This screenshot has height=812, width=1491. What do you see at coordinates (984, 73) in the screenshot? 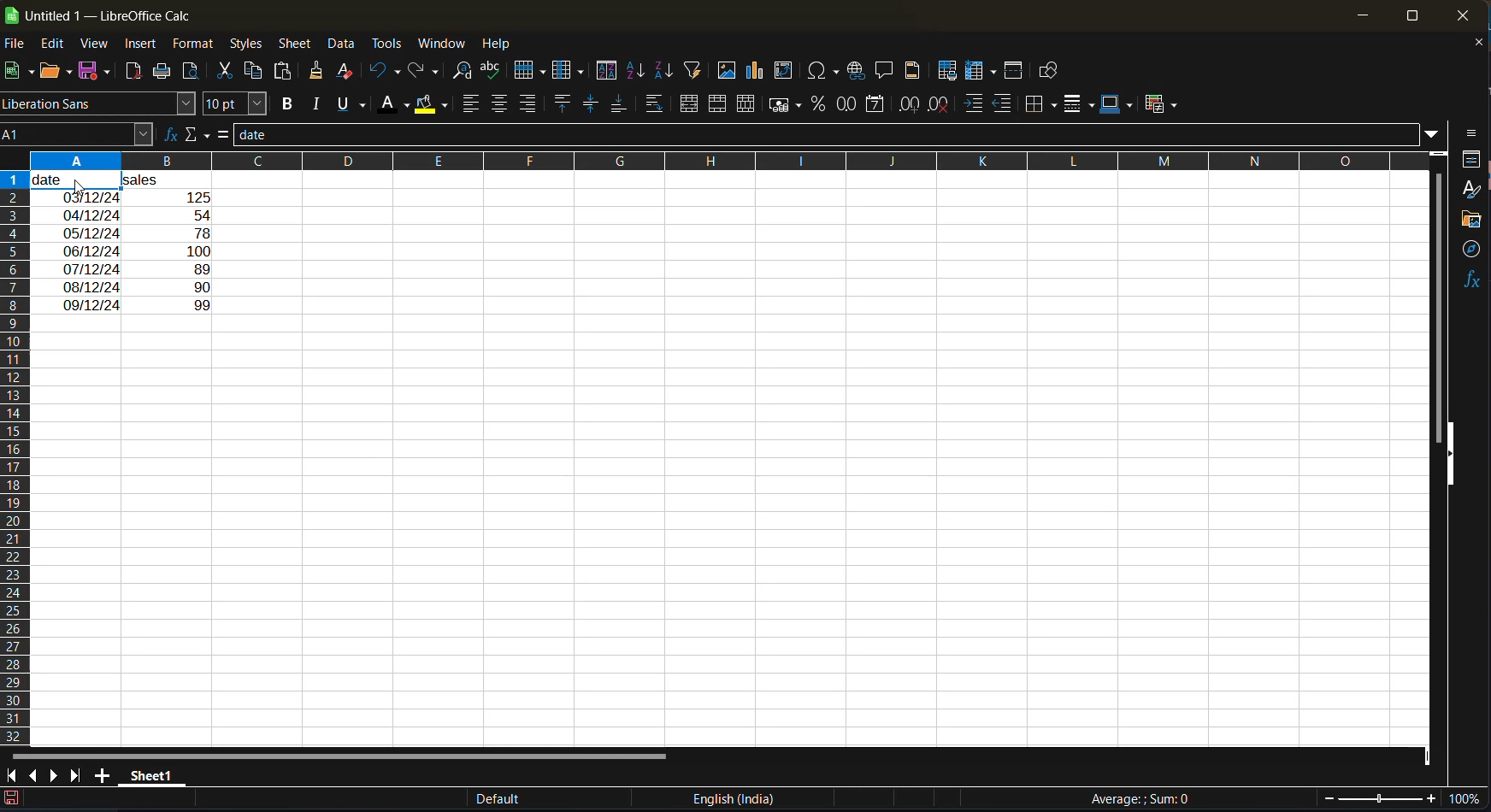
I see `freeze rows and columns` at bounding box center [984, 73].